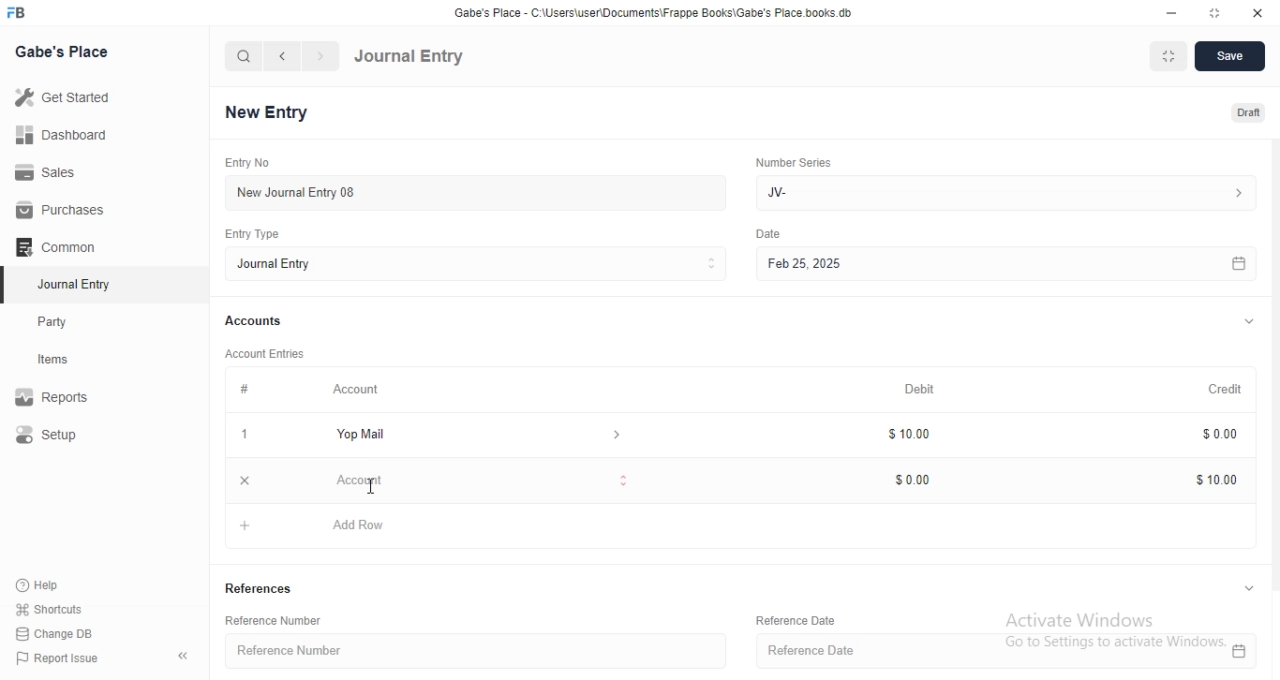 Image resolution: width=1280 pixels, height=680 pixels. What do you see at coordinates (799, 619) in the screenshot?
I see `Reference Date` at bounding box center [799, 619].